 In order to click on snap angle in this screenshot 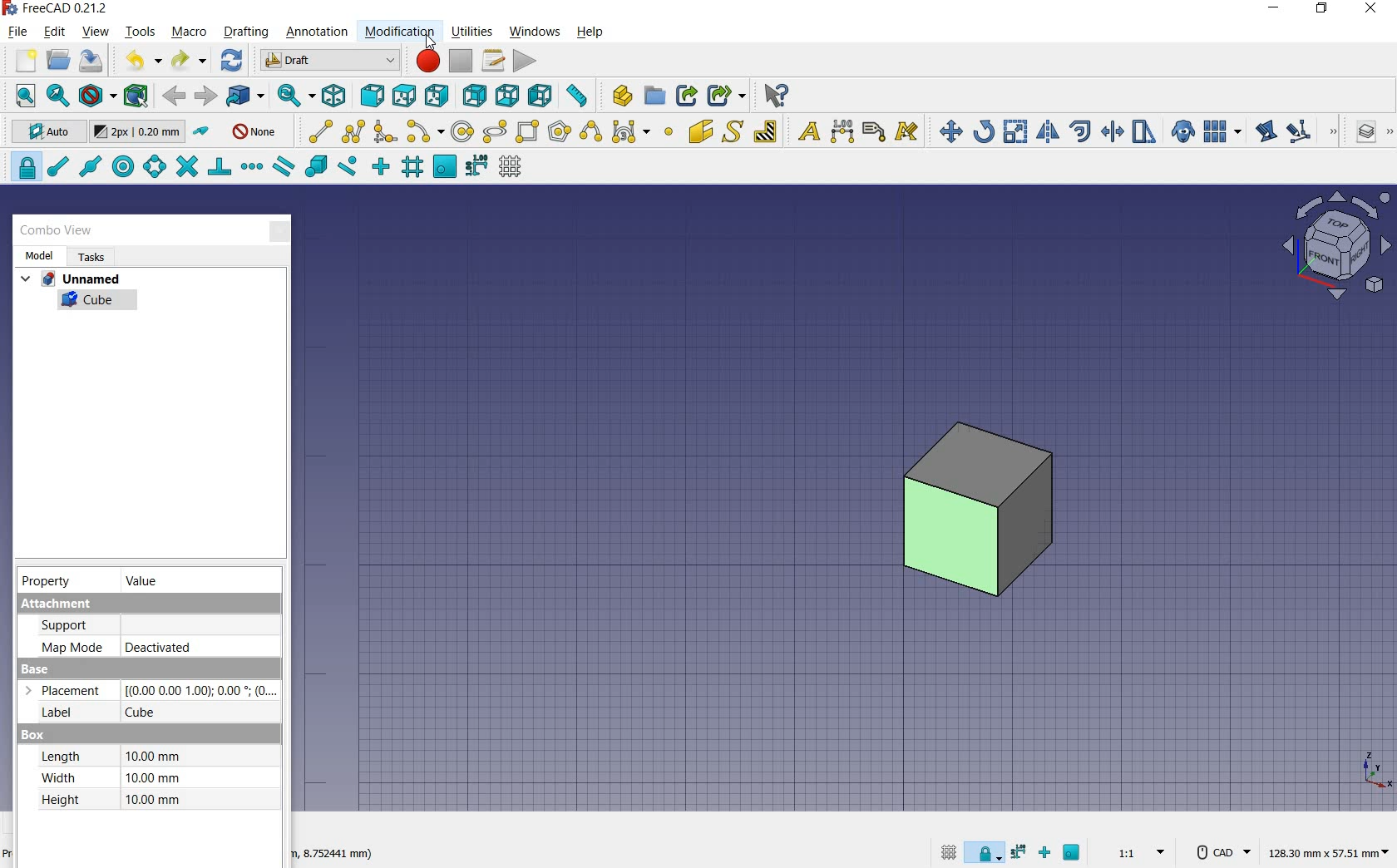, I will do `click(154, 167)`.